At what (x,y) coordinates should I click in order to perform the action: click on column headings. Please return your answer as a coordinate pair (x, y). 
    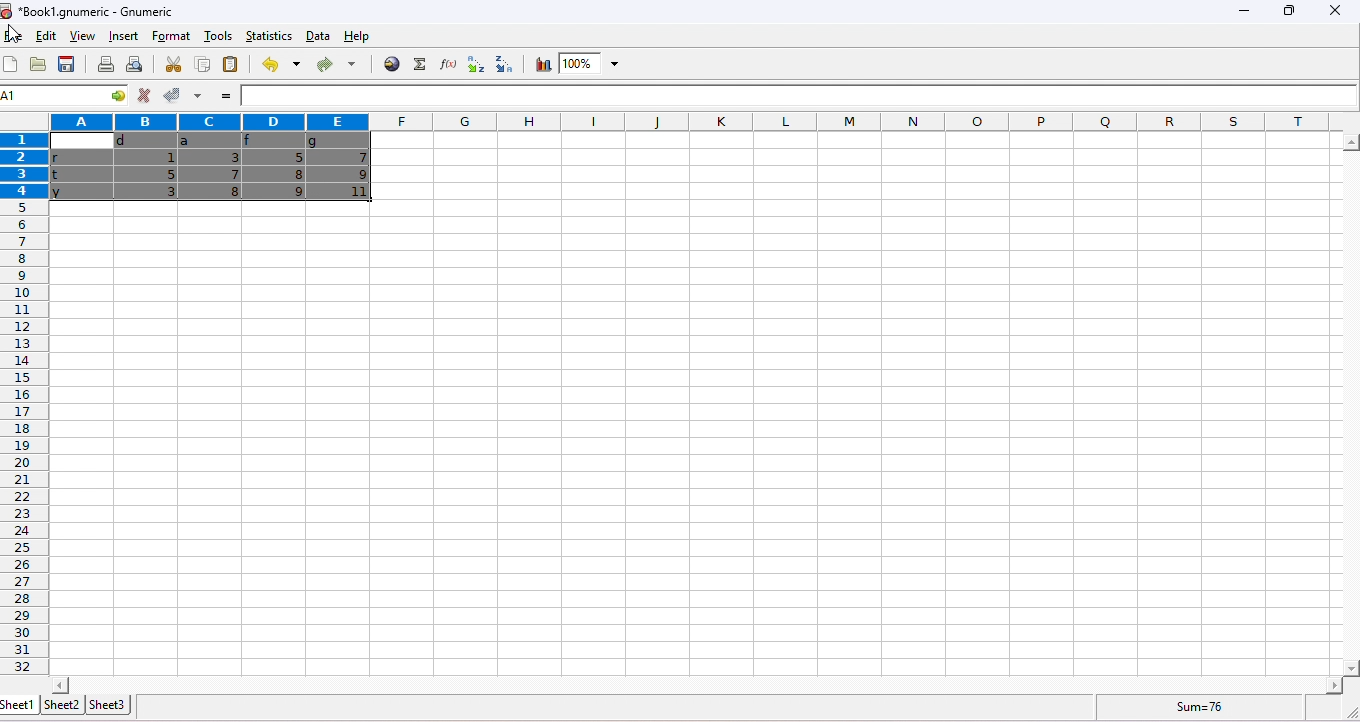
    Looking at the image, I should click on (694, 121).